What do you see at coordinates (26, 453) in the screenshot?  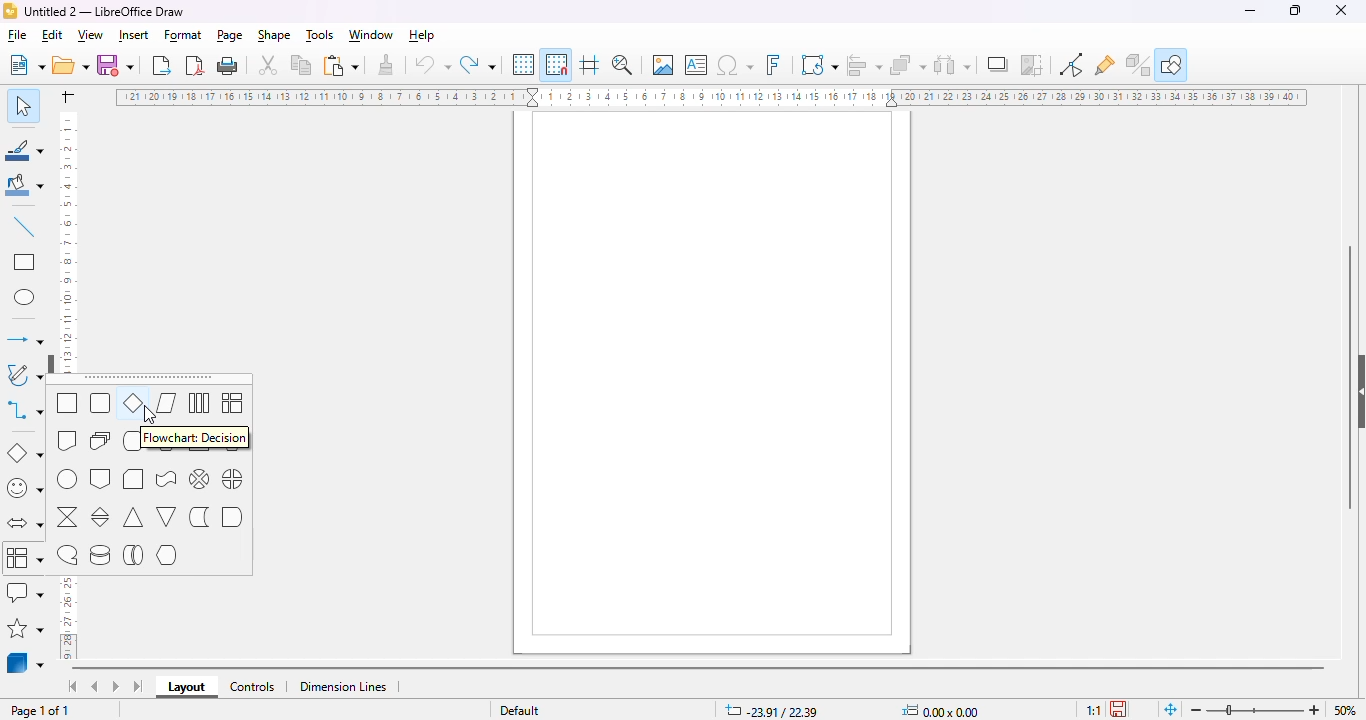 I see `basic shapes` at bounding box center [26, 453].